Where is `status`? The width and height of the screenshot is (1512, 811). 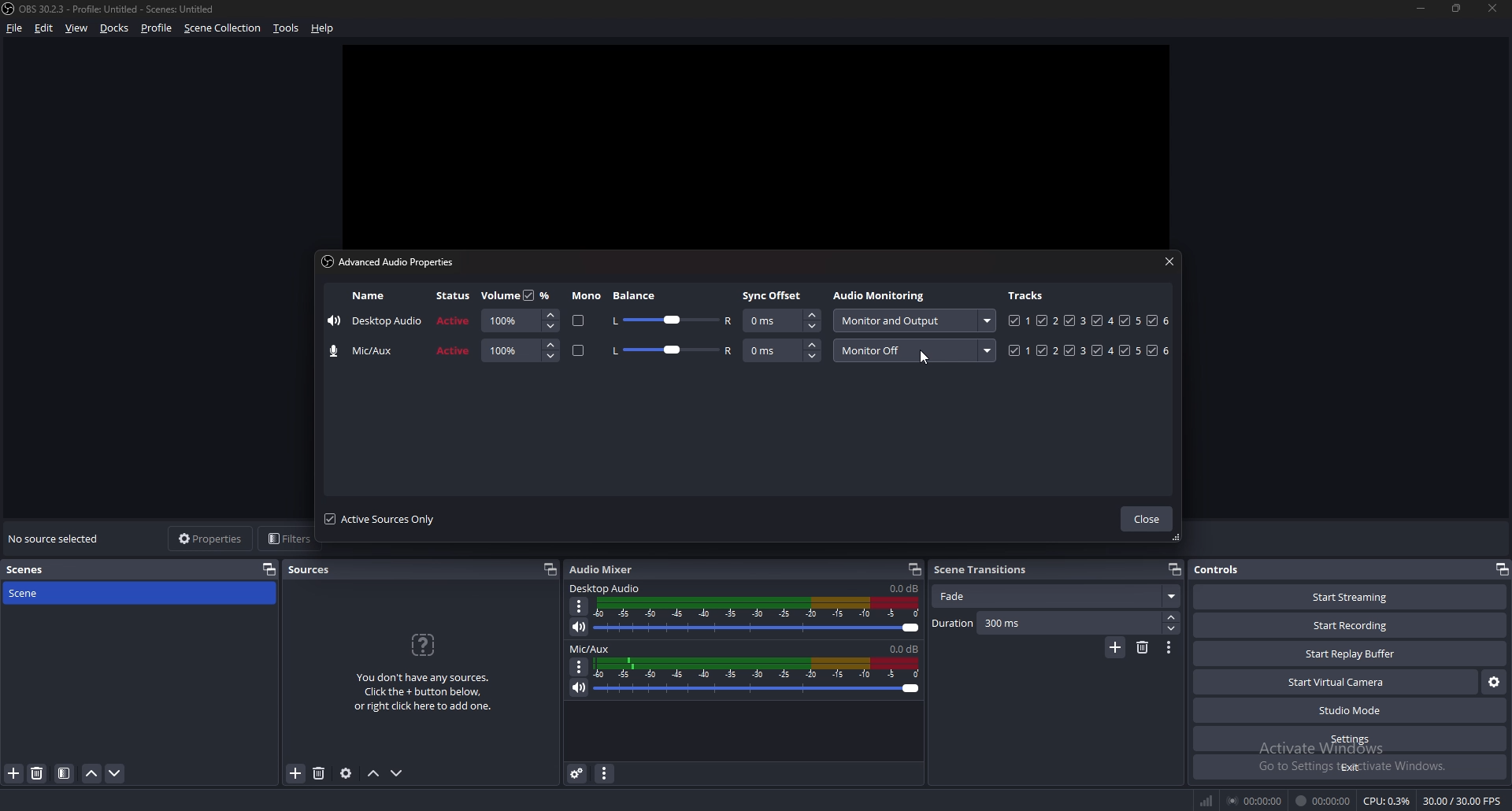
status is located at coordinates (454, 294).